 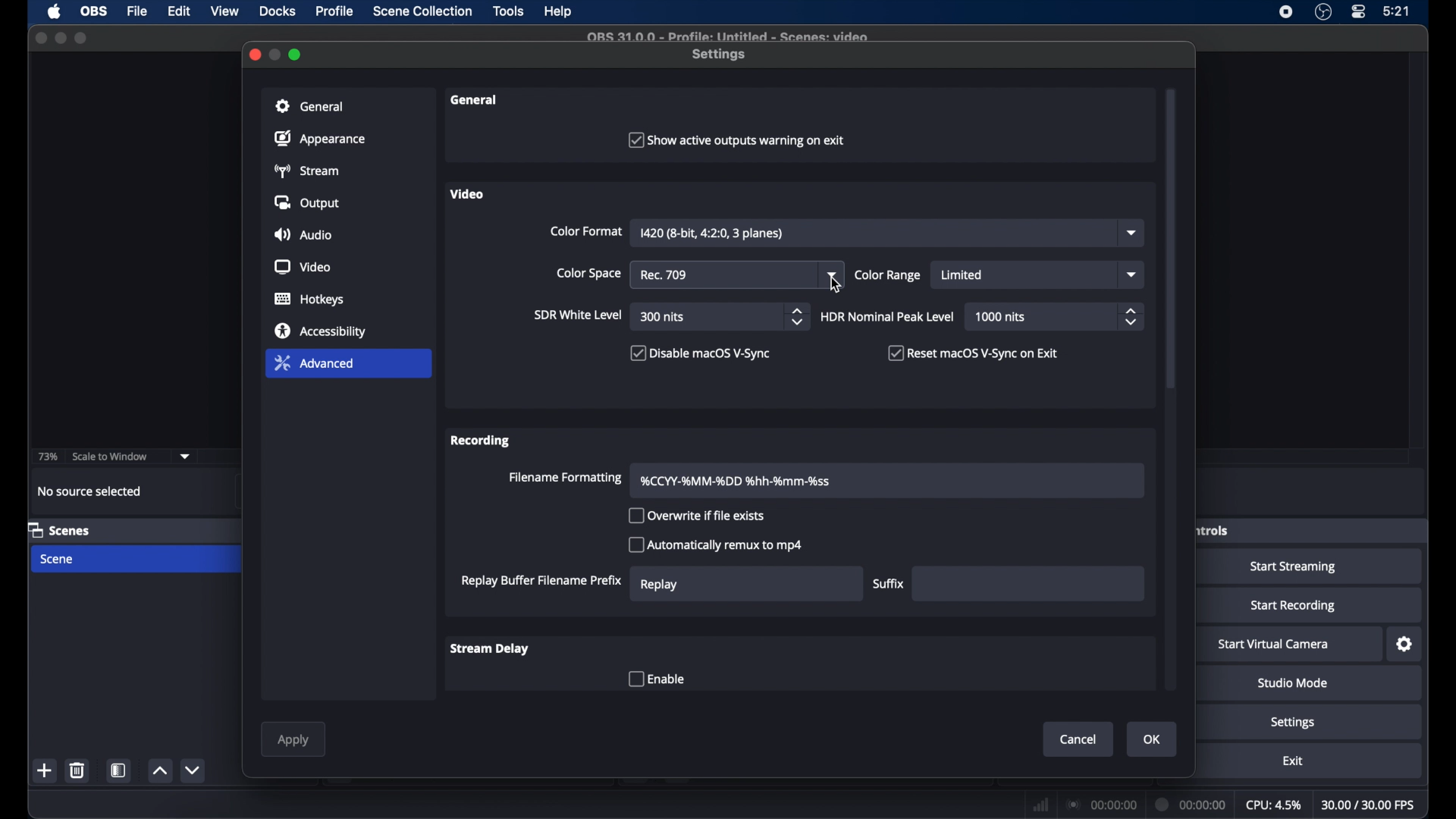 What do you see at coordinates (320, 140) in the screenshot?
I see `appearance` at bounding box center [320, 140].